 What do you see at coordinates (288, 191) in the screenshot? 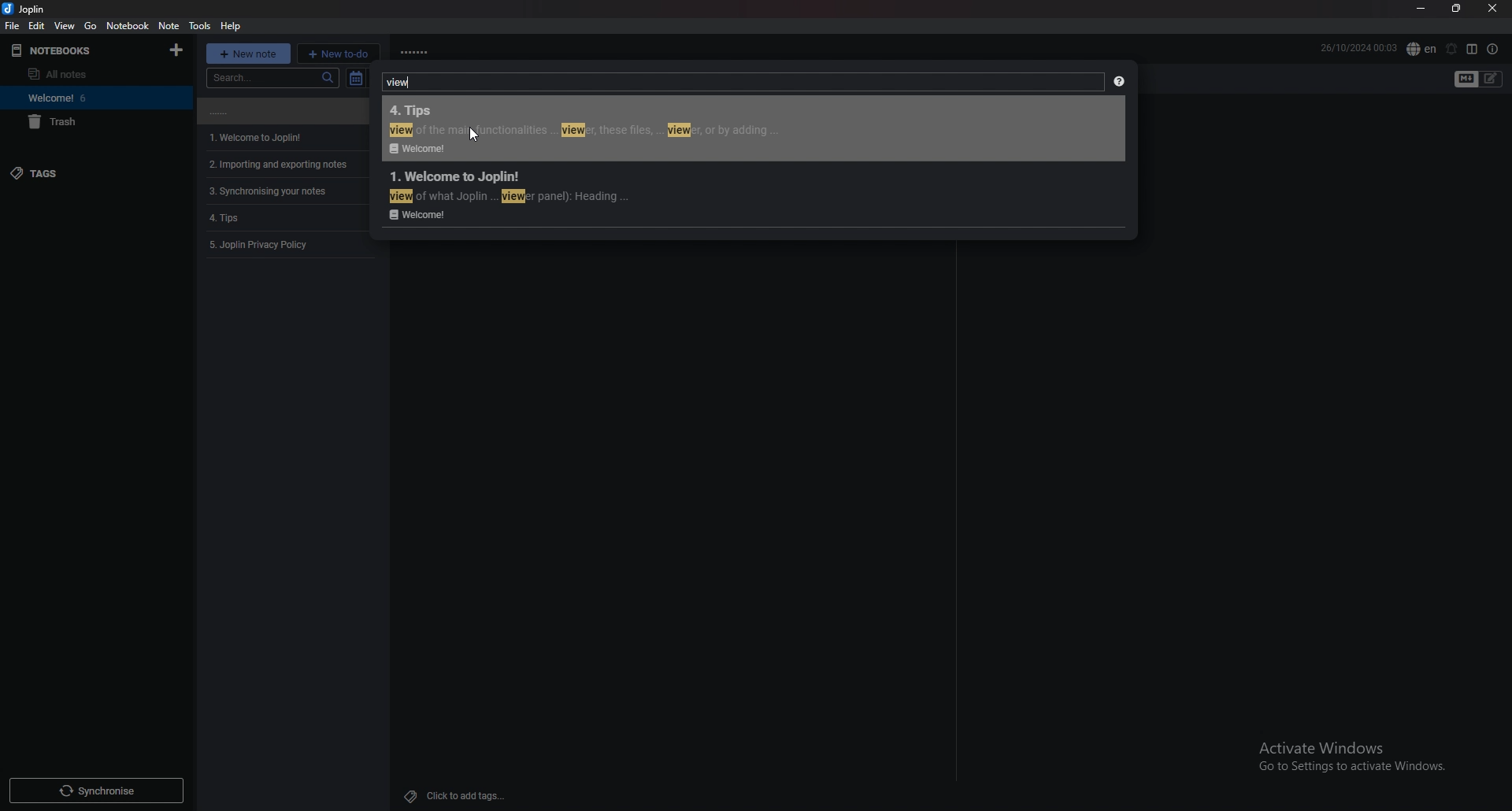
I see `note 4` at bounding box center [288, 191].